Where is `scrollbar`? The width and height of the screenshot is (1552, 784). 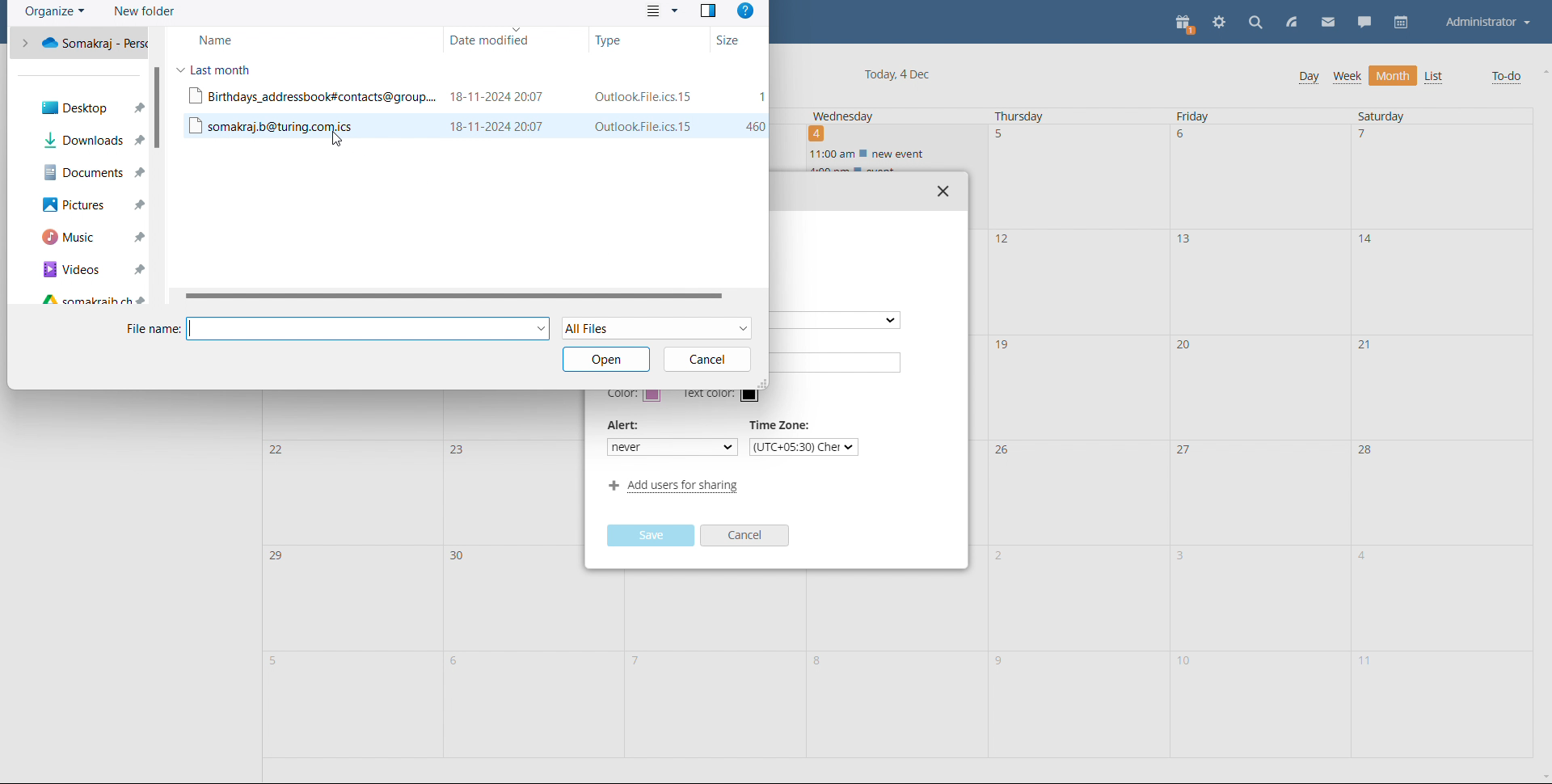
scrollbar is located at coordinates (158, 107).